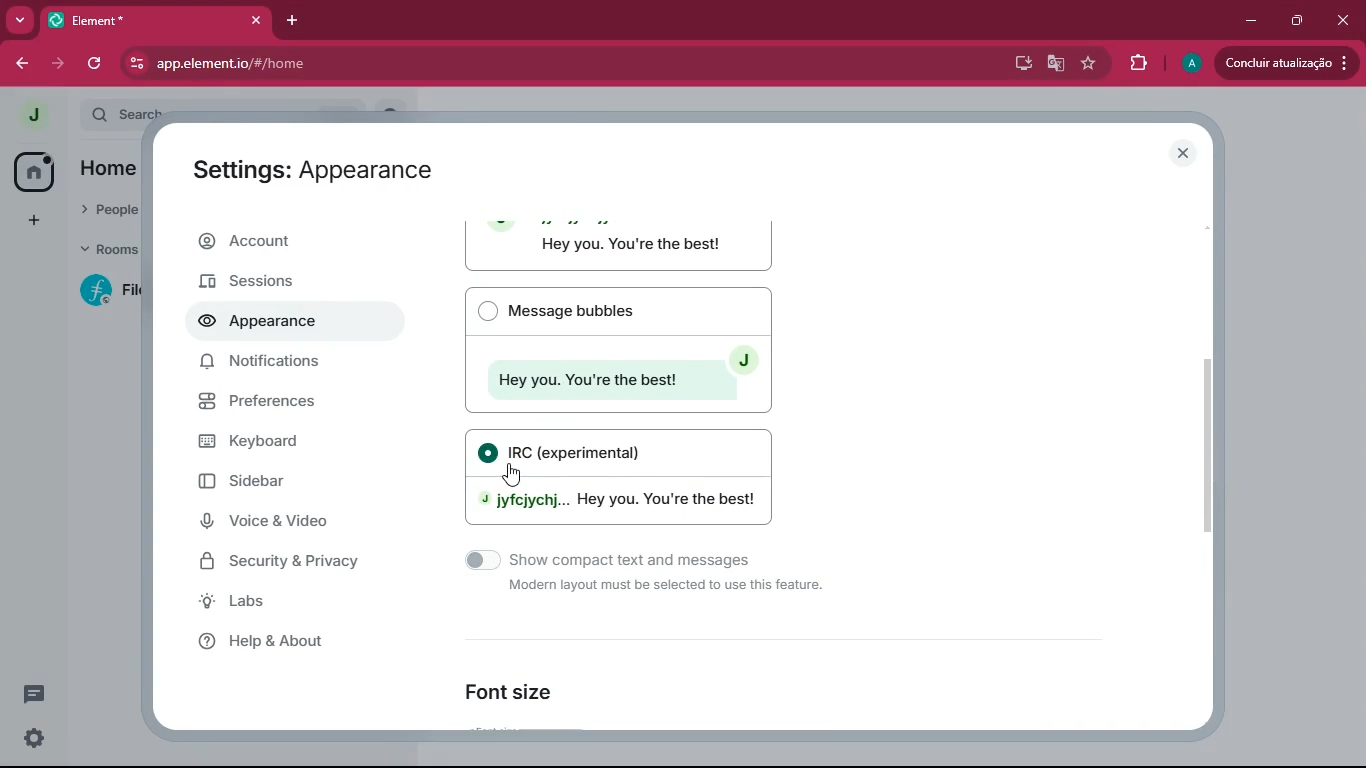 The image size is (1366, 768). What do you see at coordinates (1089, 63) in the screenshot?
I see `favourite` at bounding box center [1089, 63].